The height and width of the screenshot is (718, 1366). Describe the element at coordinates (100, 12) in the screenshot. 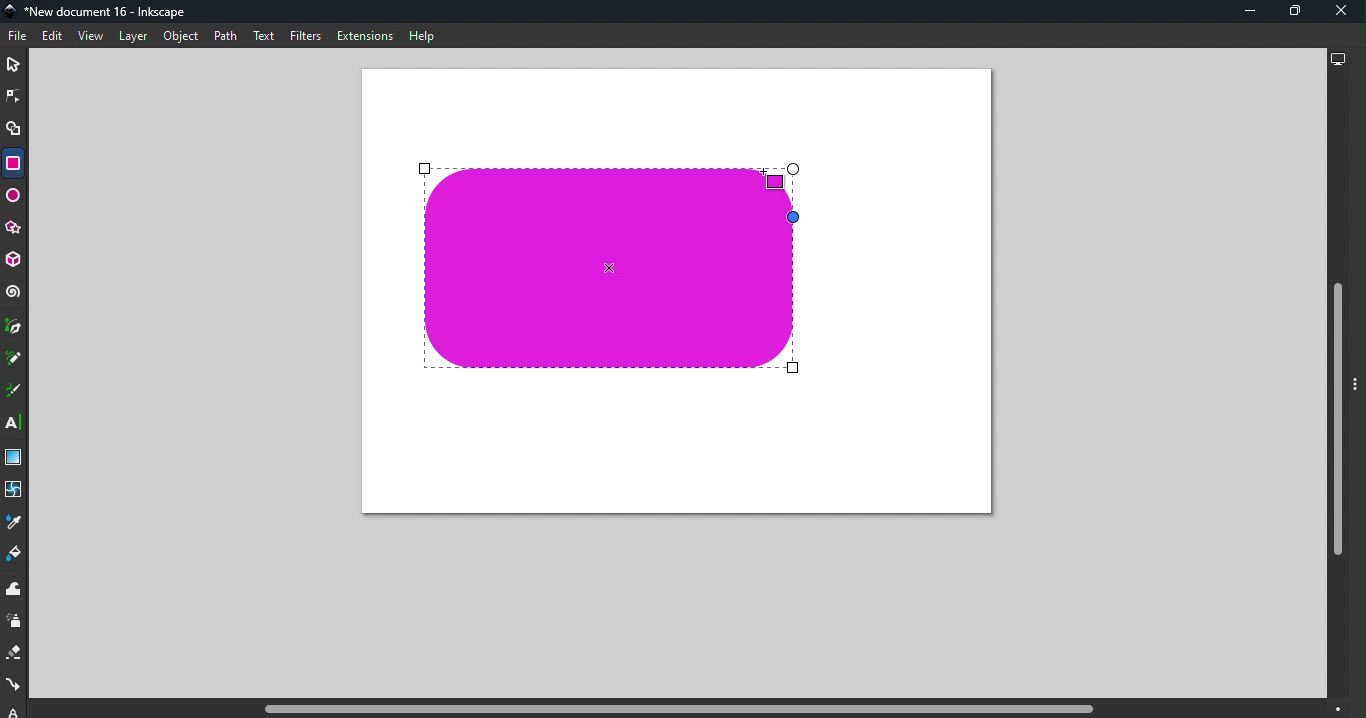

I see `Document name` at that location.